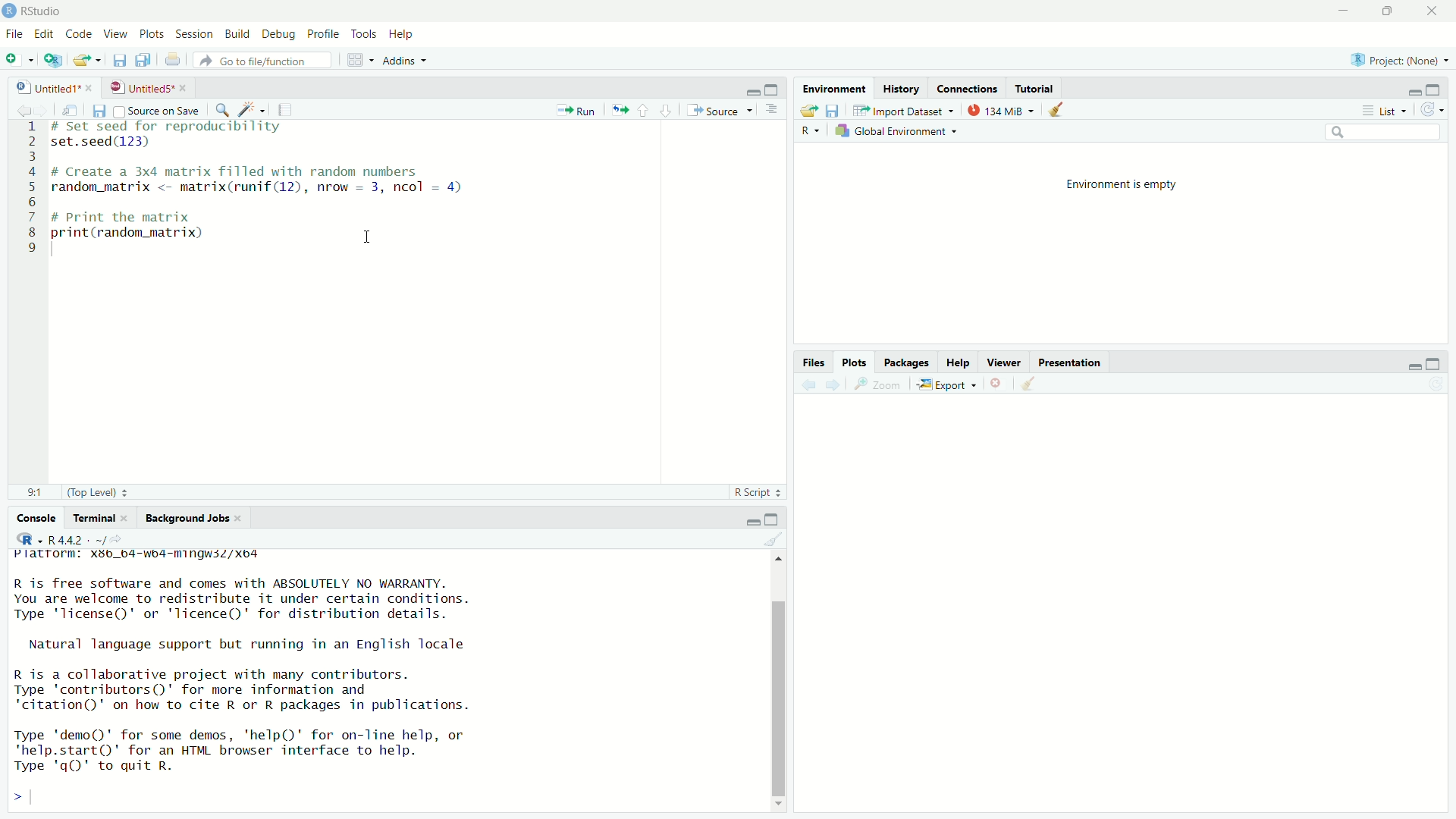  What do you see at coordinates (224, 107) in the screenshot?
I see `search` at bounding box center [224, 107].